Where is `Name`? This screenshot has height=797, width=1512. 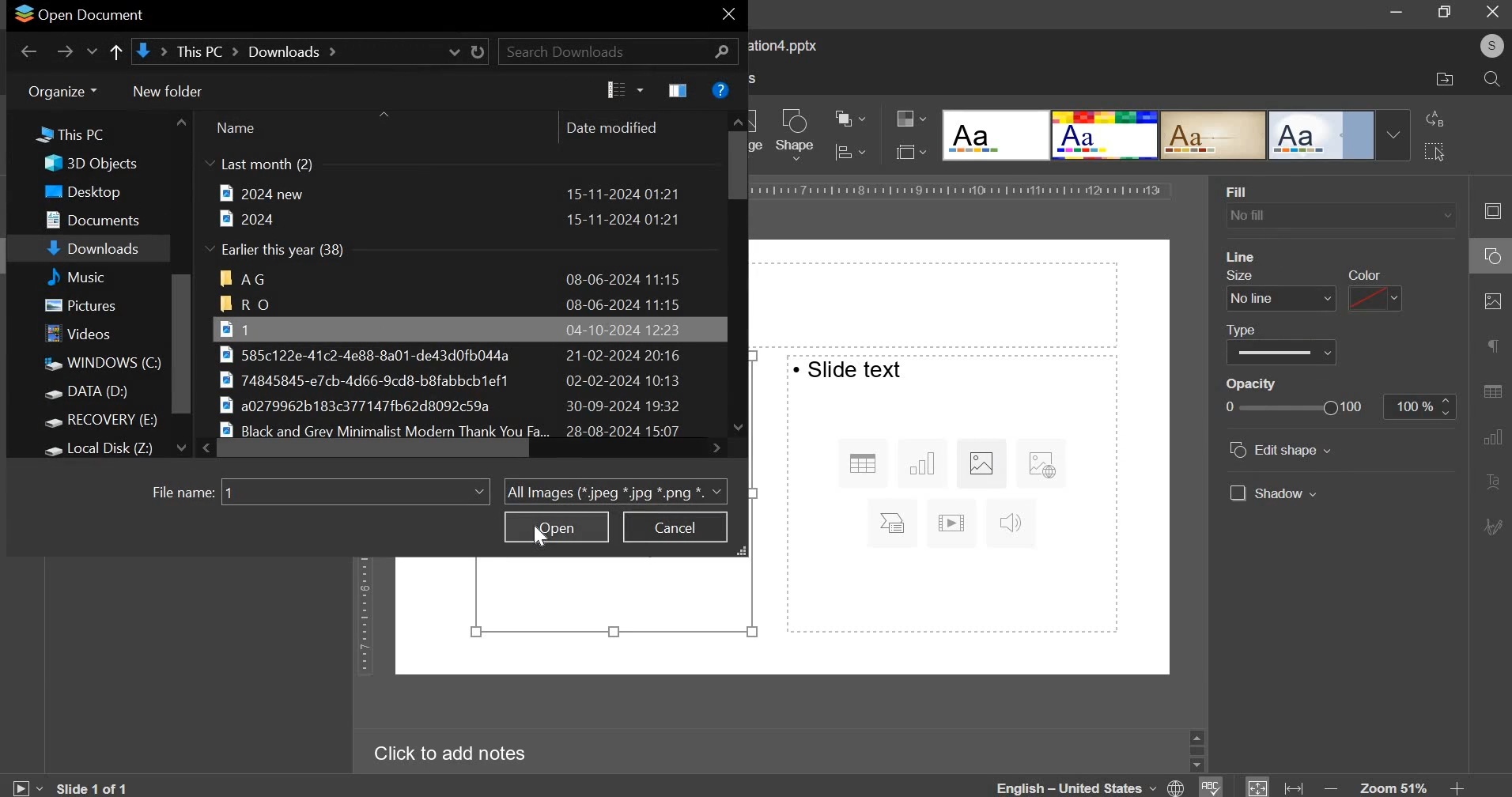 Name is located at coordinates (235, 127).